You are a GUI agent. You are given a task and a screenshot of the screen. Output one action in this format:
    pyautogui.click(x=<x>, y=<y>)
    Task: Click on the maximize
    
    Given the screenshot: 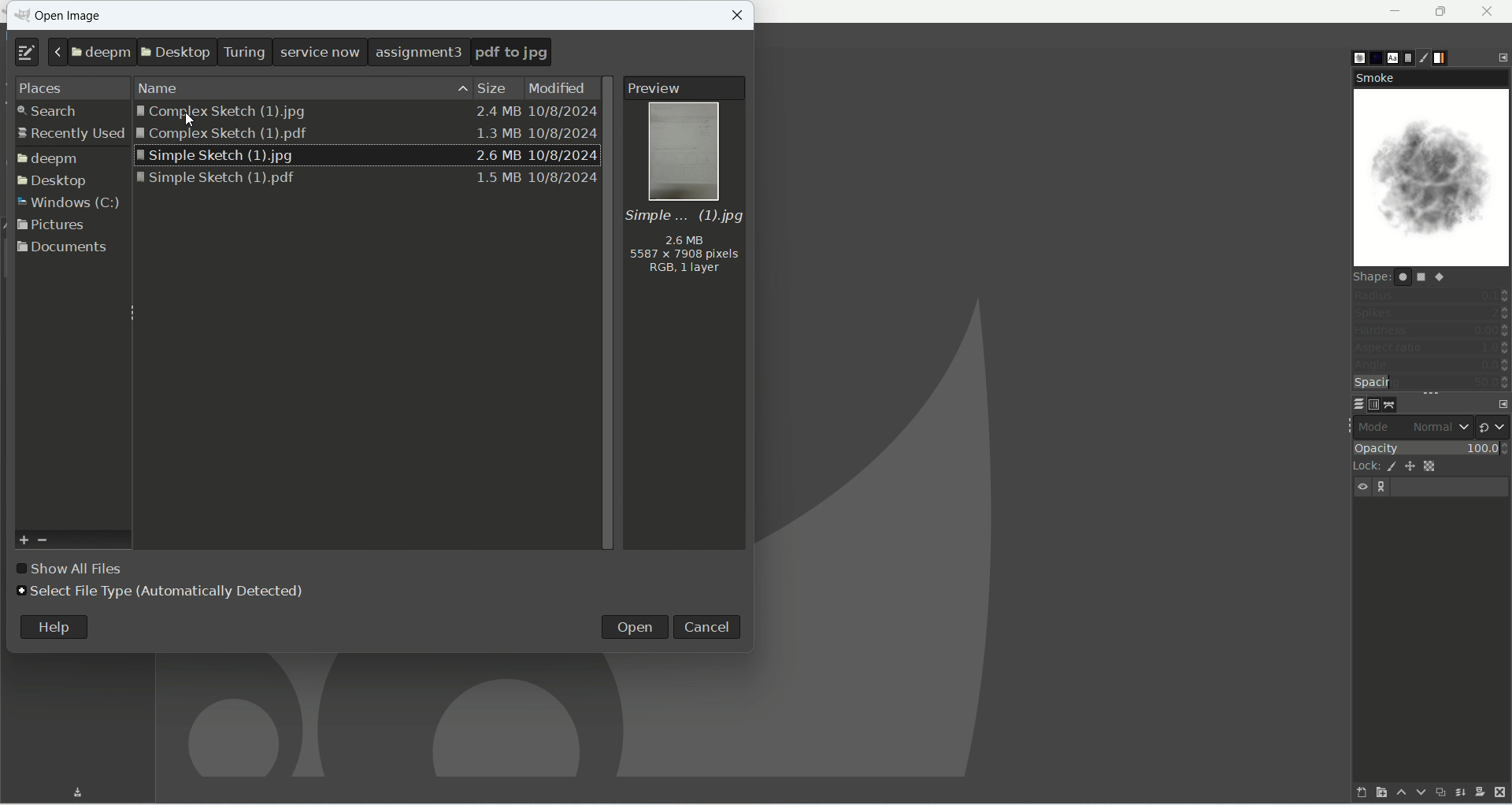 What is the action you would take?
    pyautogui.click(x=1440, y=11)
    